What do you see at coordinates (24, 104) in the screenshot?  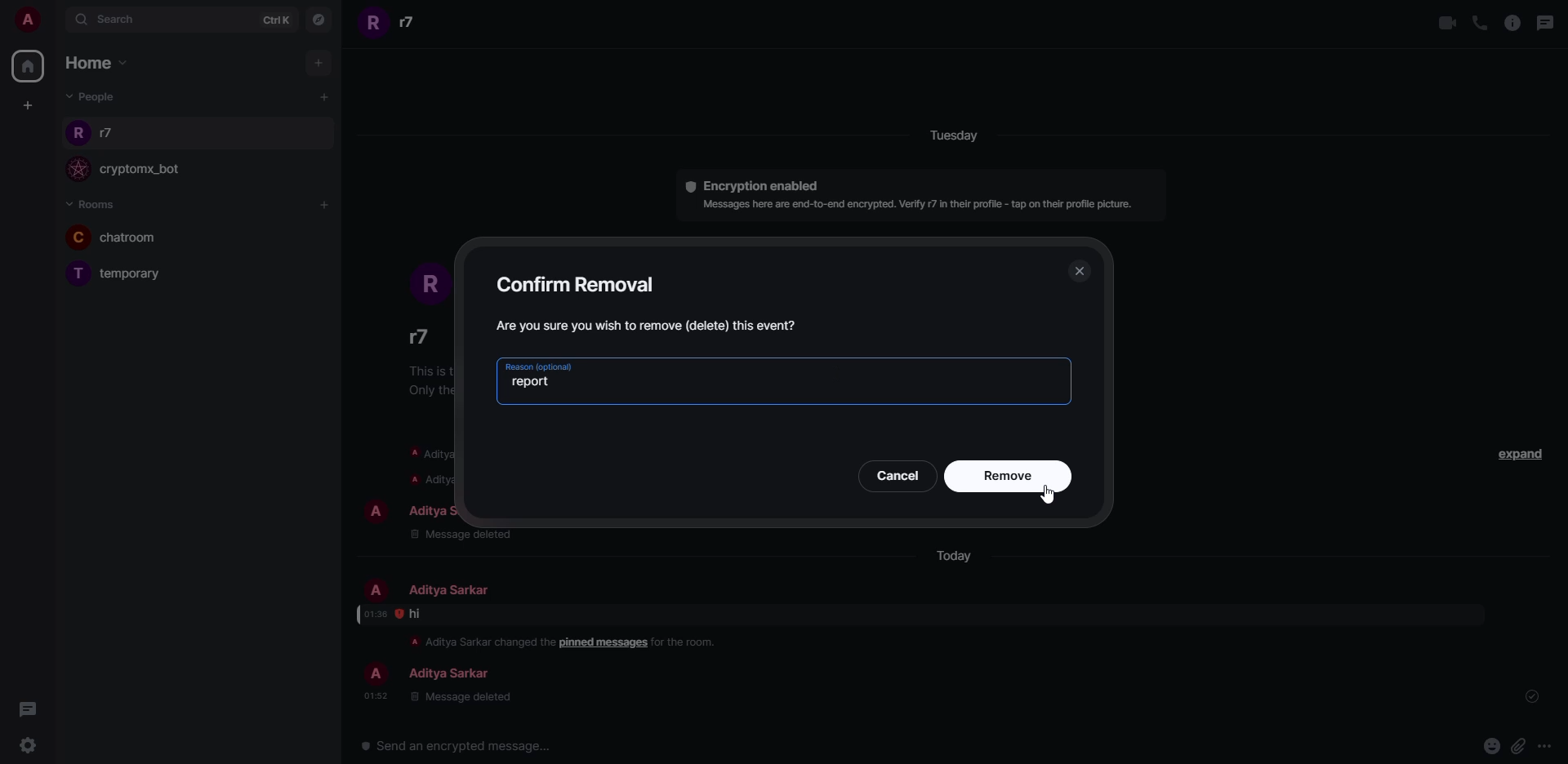 I see `create space` at bounding box center [24, 104].